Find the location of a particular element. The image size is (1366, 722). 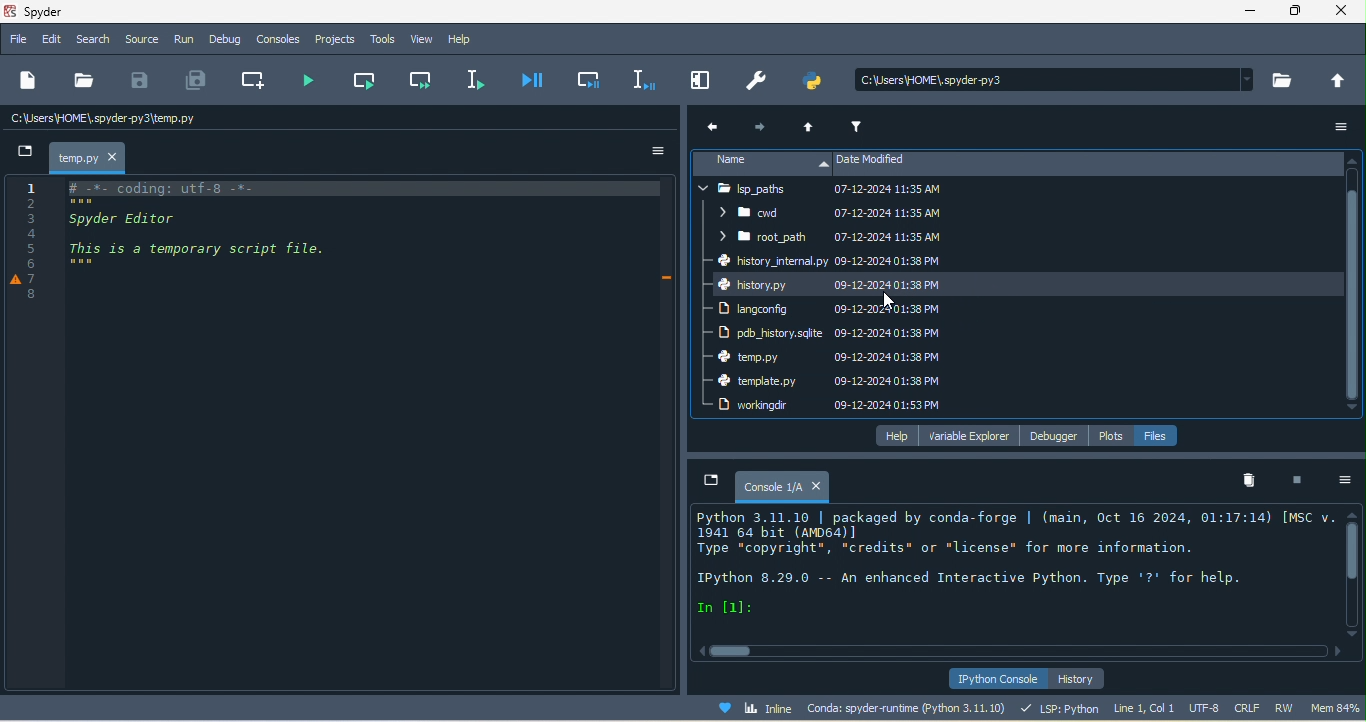

template .py is located at coordinates (760, 384).